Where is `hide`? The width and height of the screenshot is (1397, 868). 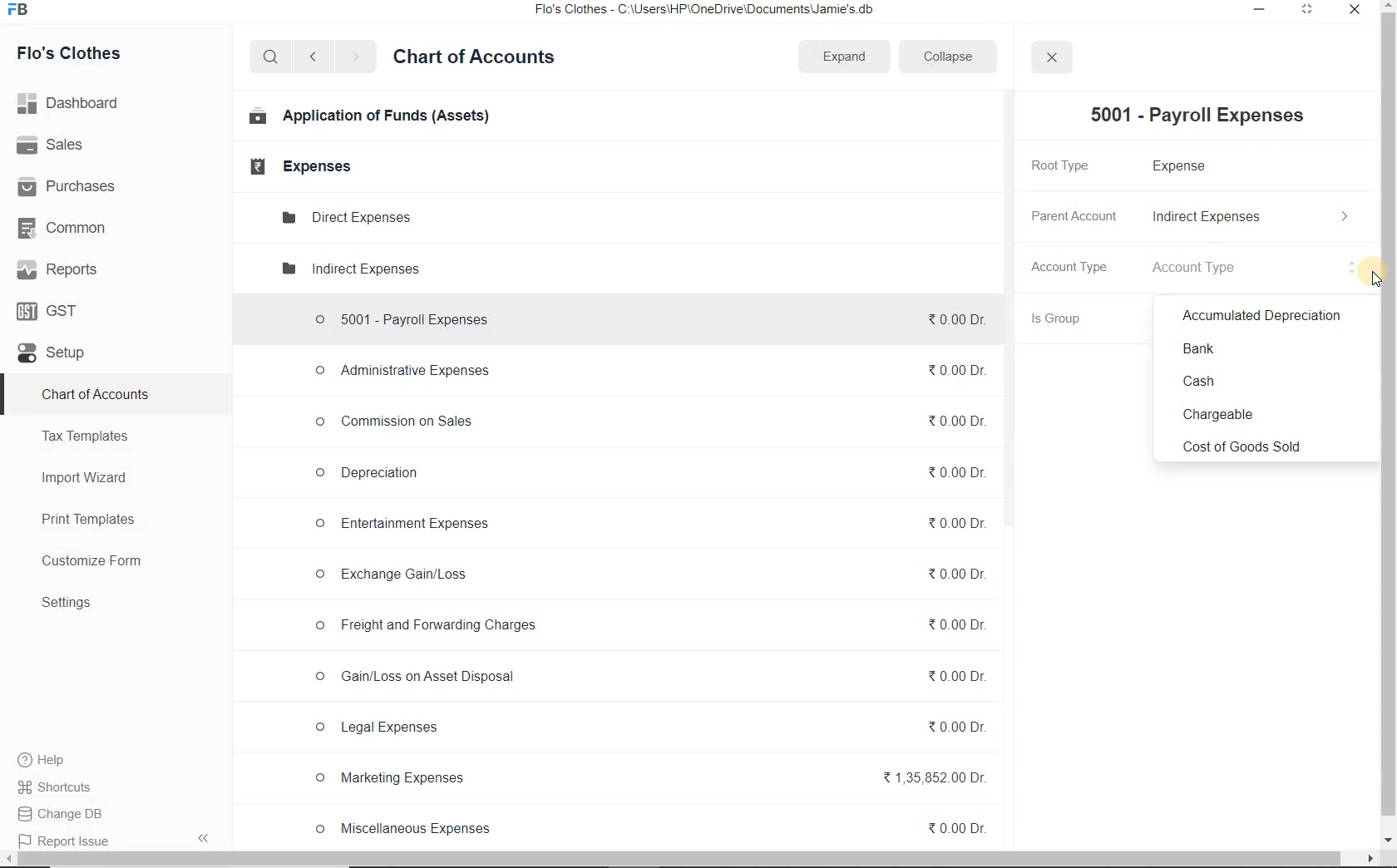 hide is located at coordinates (204, 838).